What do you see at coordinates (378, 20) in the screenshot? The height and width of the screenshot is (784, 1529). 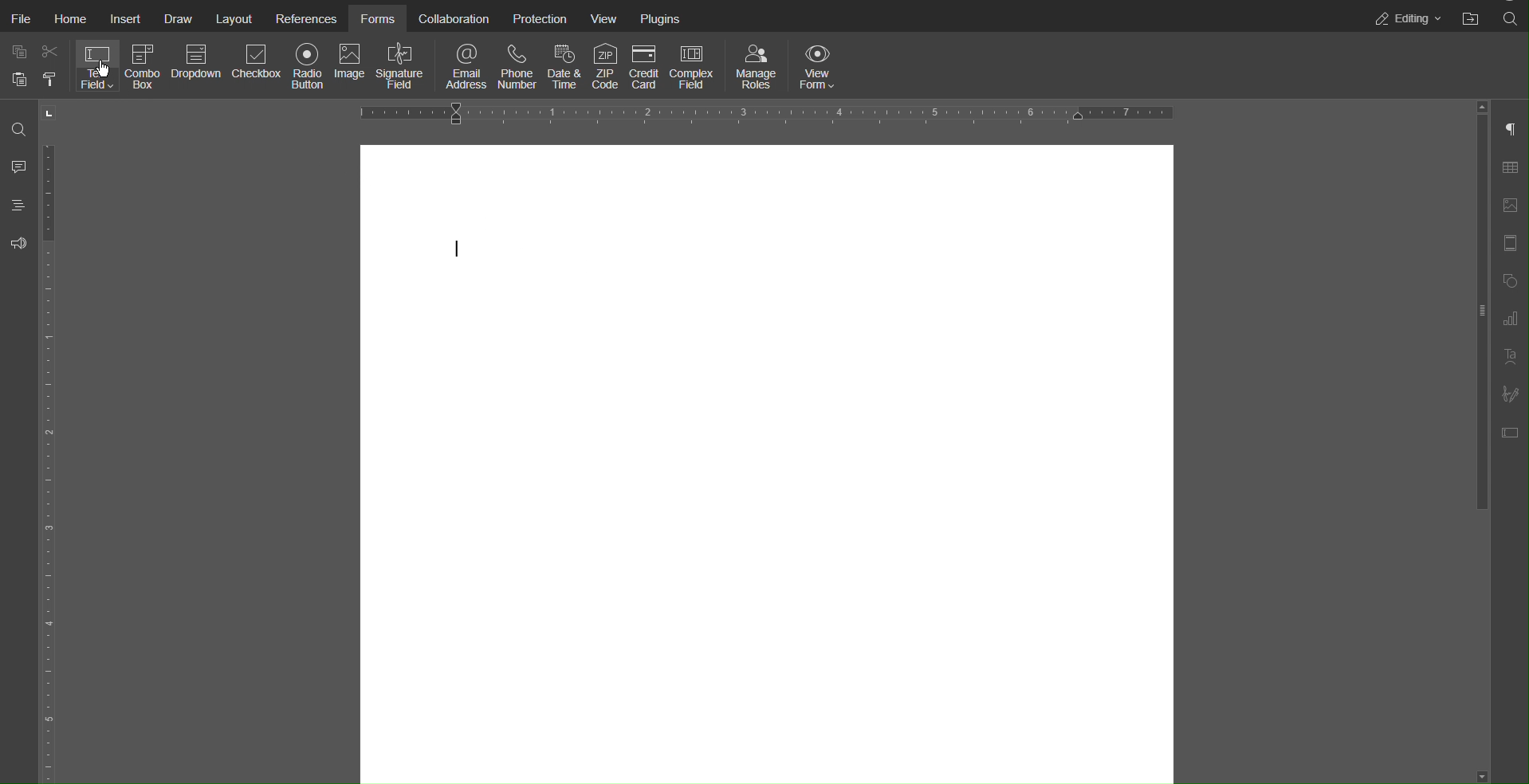 I see `Forms` at bounding box center [378, 20].